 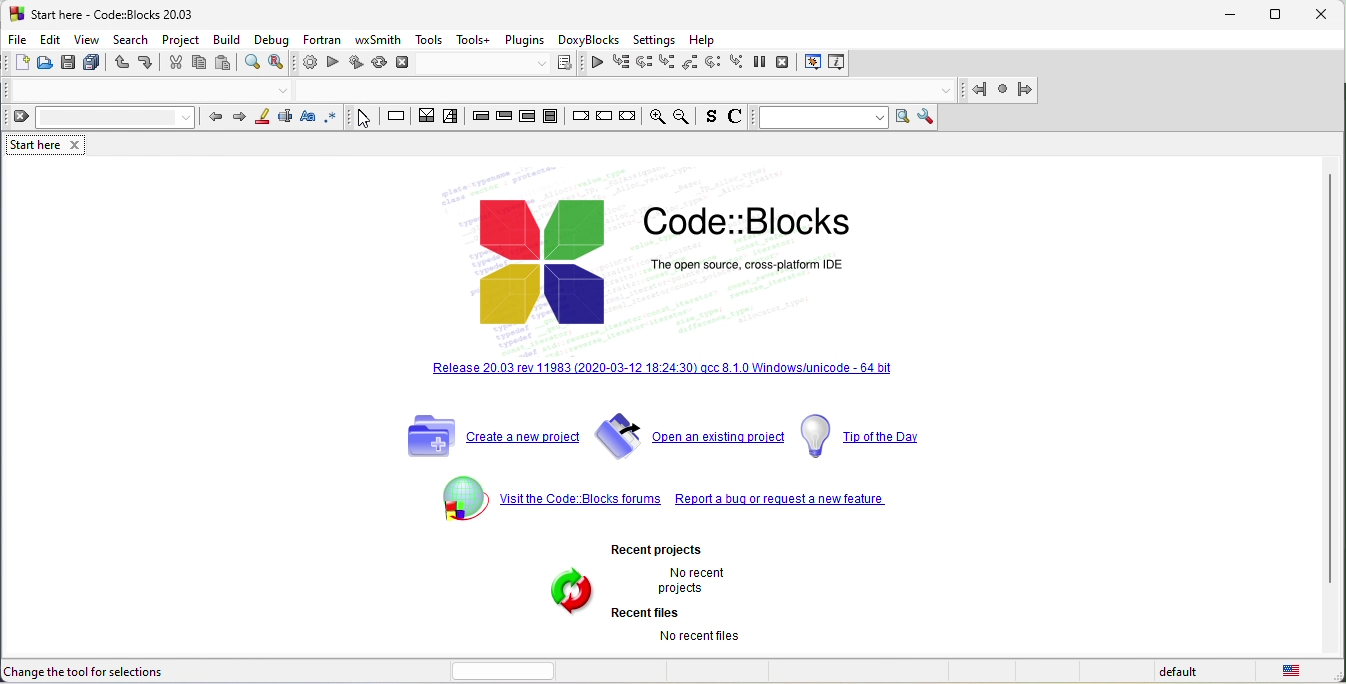 What do you see at coordinates (46, 65) in the screenshot?
I see `open` at bounding box center [46, 65].